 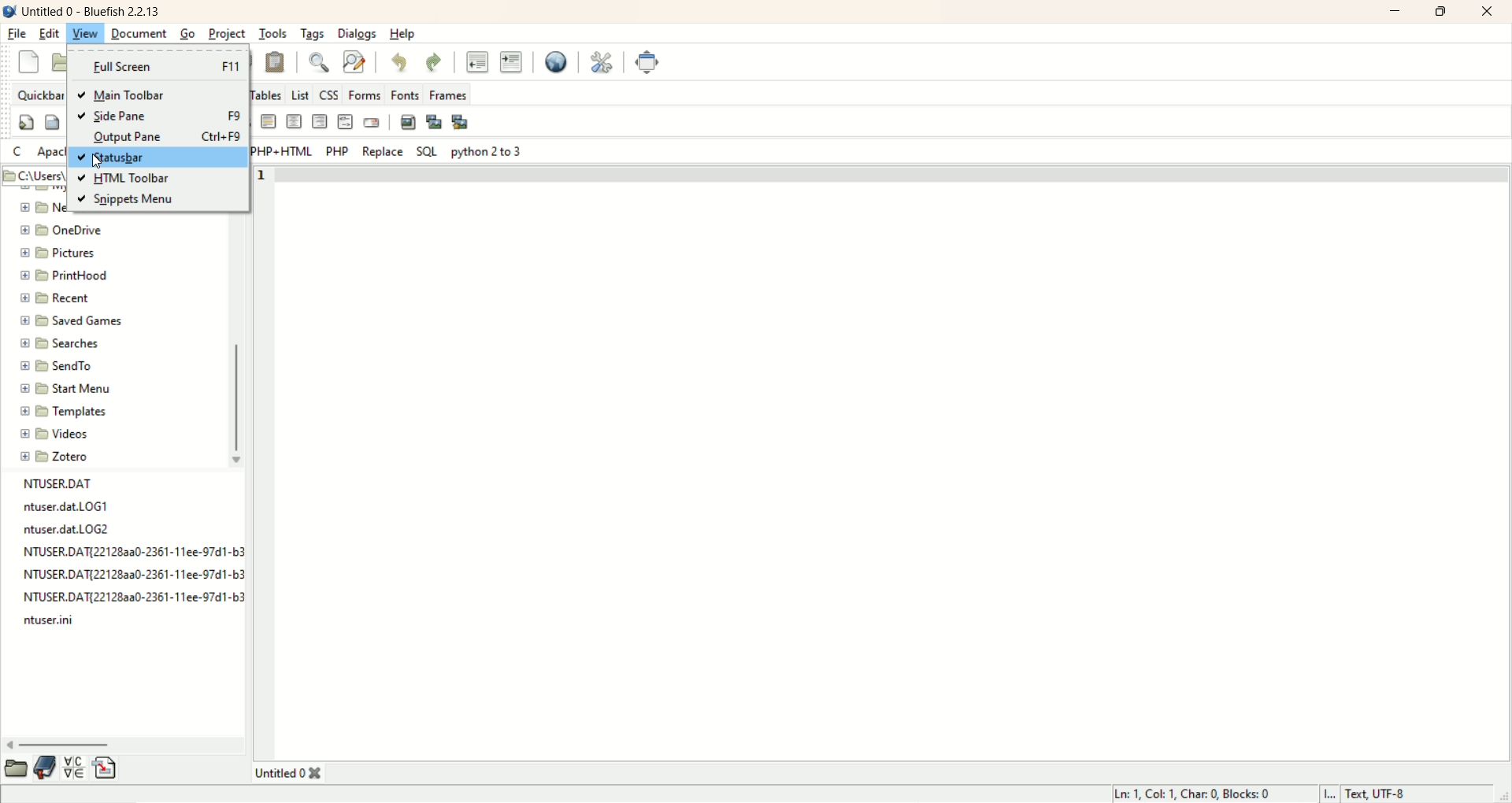 I want to click on quickstart, so click(x=23, y=124).